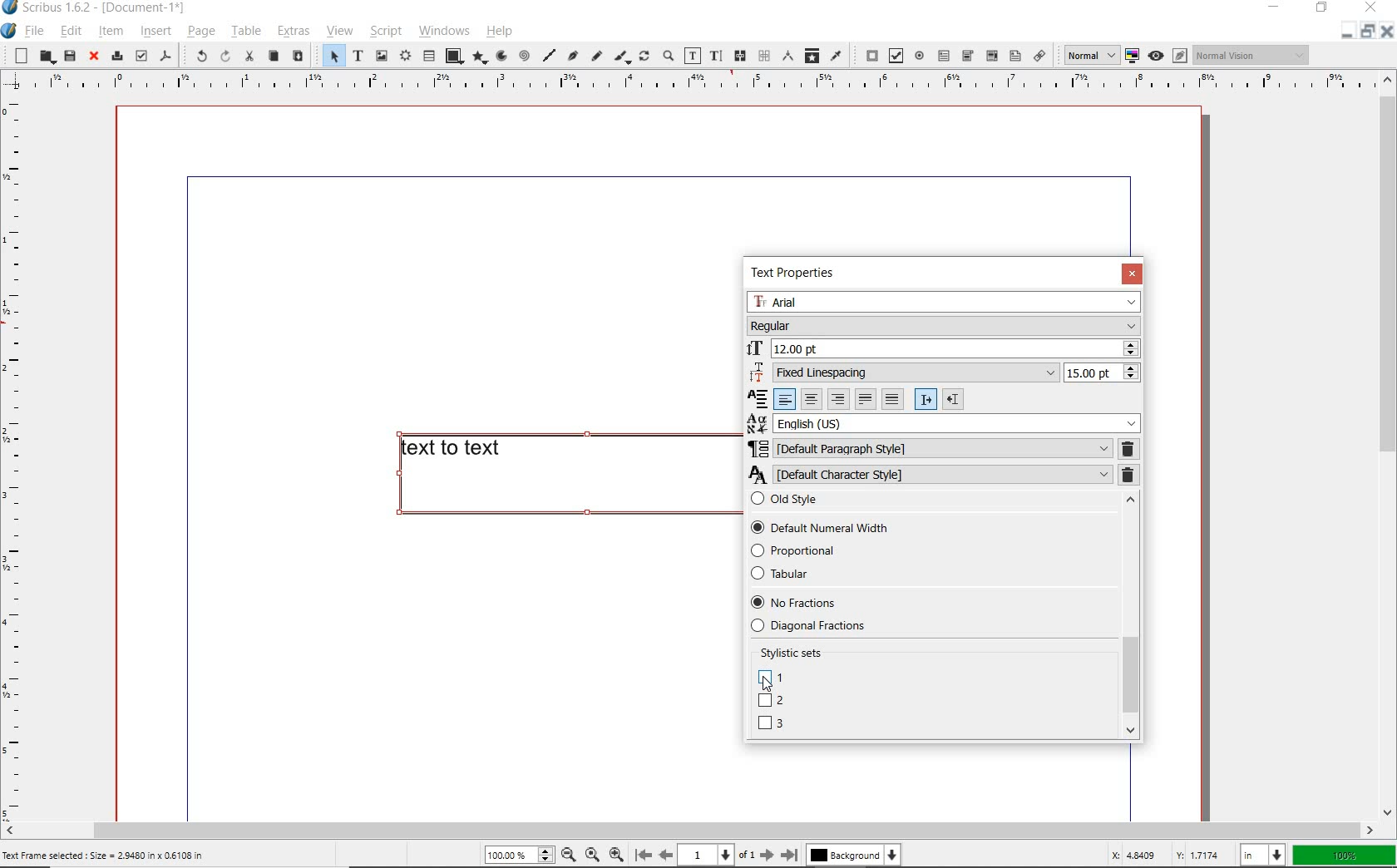  I want to click on Diagonal fractions, so click(834, 625).